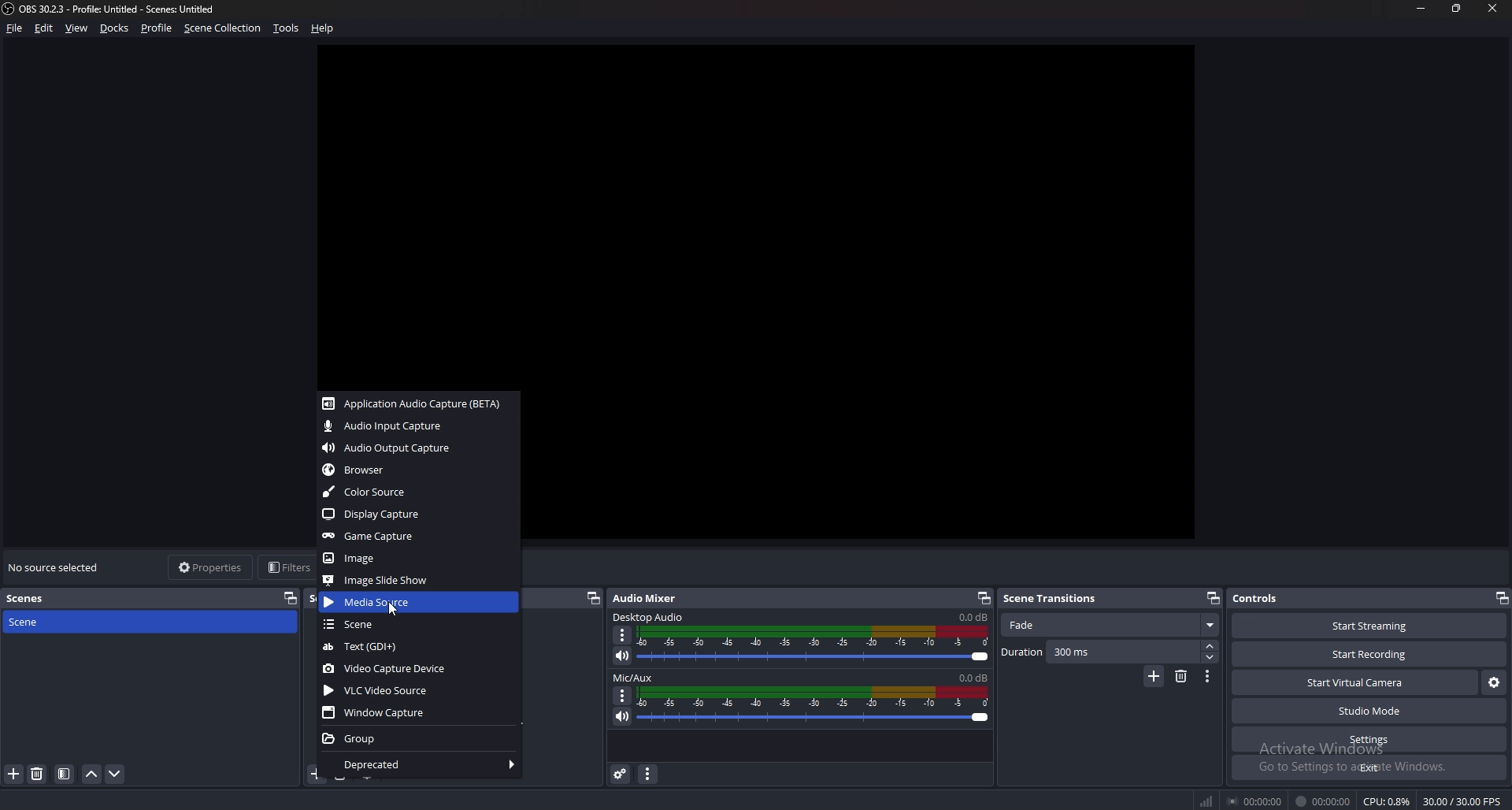  I want to click on Properties, so click(210, 567).